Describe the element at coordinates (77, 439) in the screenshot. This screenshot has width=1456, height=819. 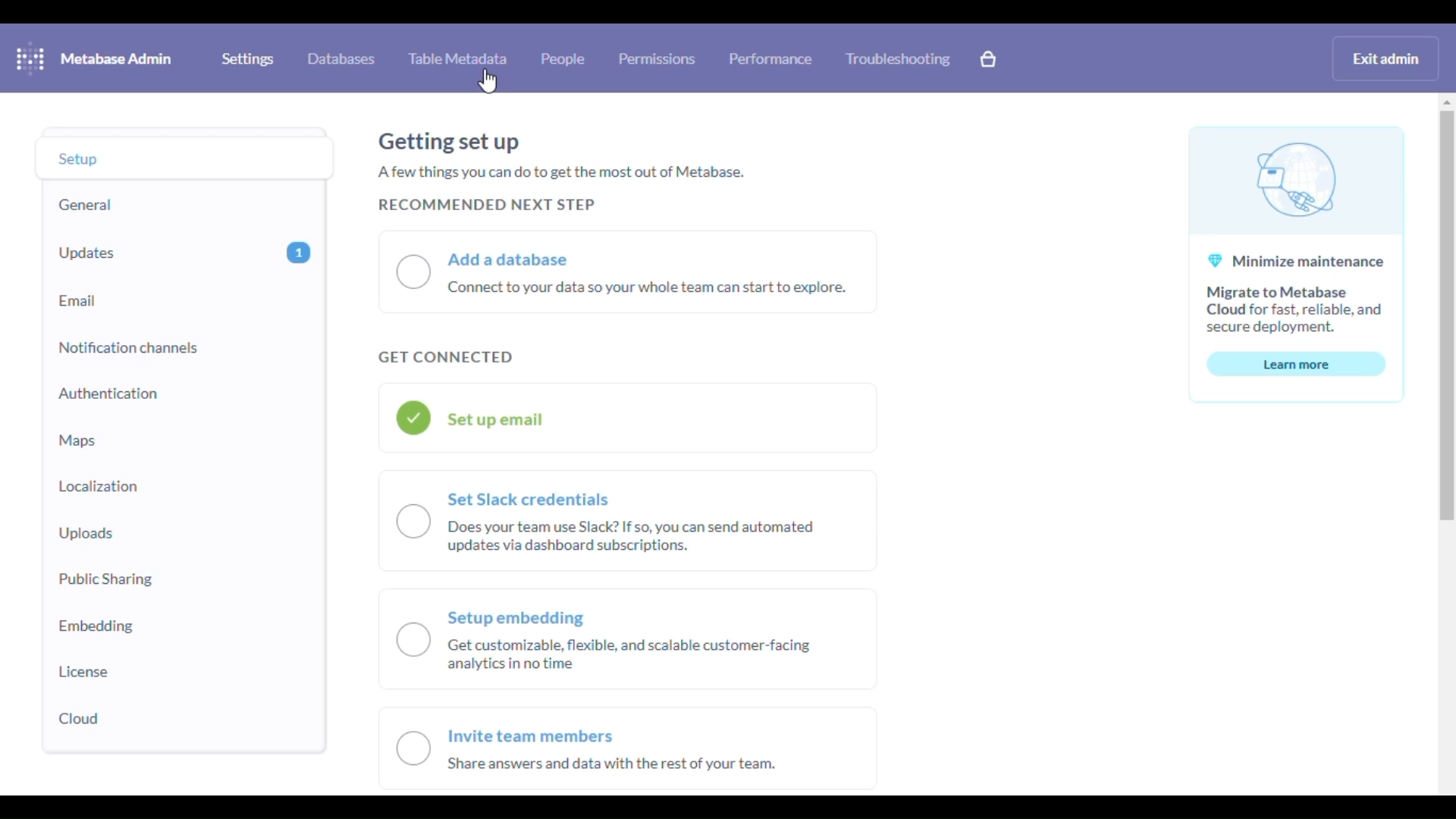
I see `maps` at that location.